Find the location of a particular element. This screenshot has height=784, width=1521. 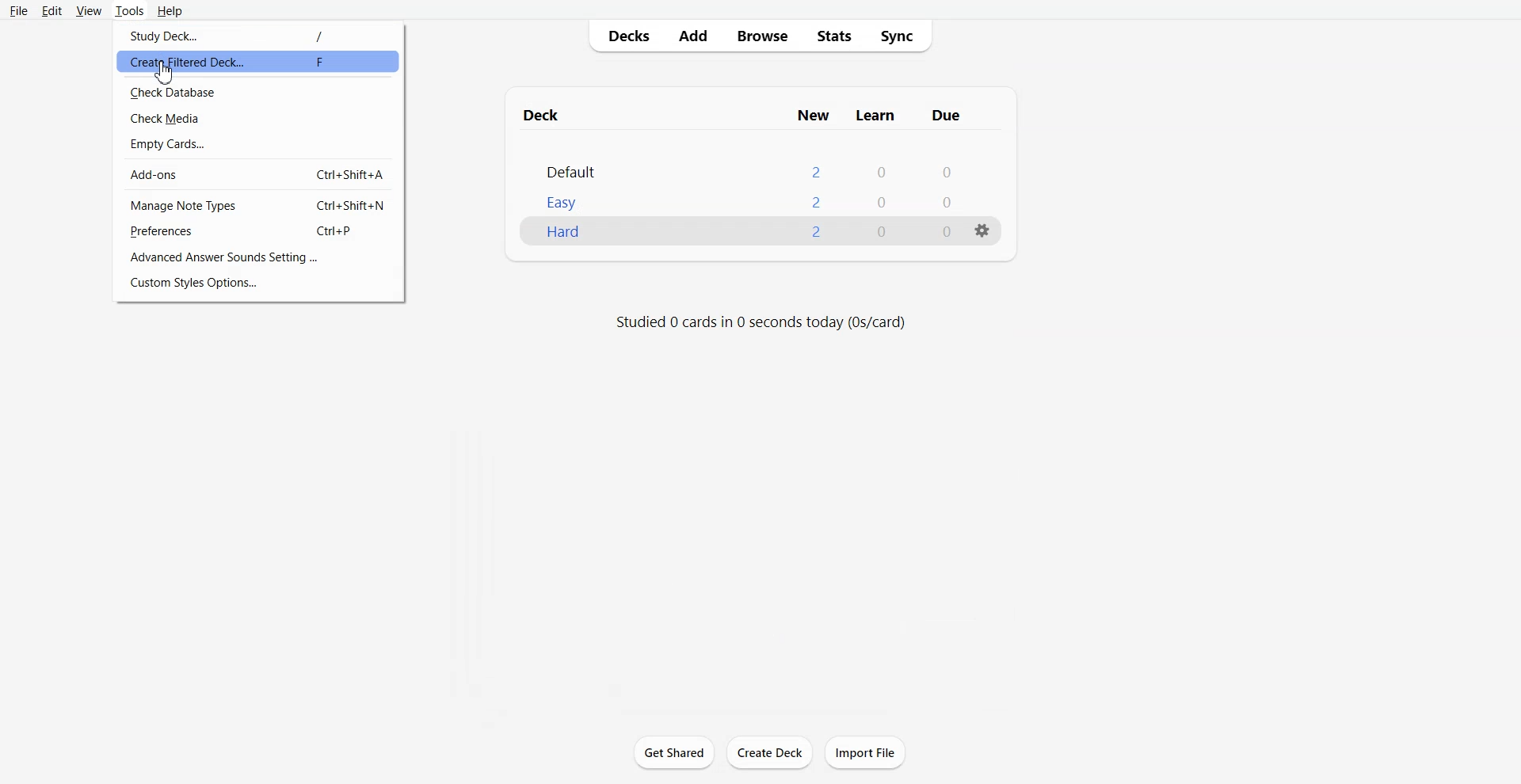

Check Database is located at coordinates (260, 90).